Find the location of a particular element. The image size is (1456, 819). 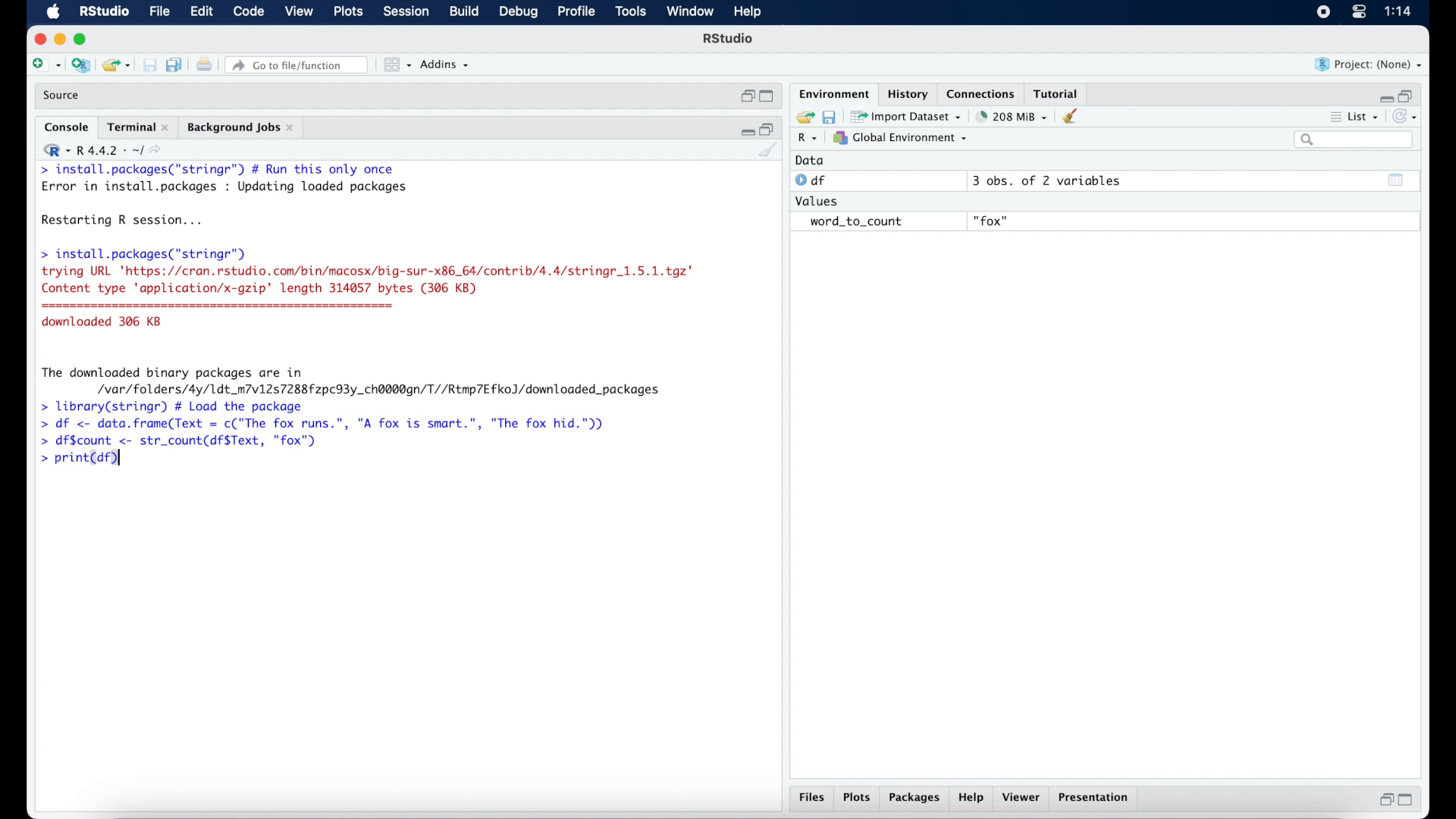

go to file/function is located at coordinates (300, 65).